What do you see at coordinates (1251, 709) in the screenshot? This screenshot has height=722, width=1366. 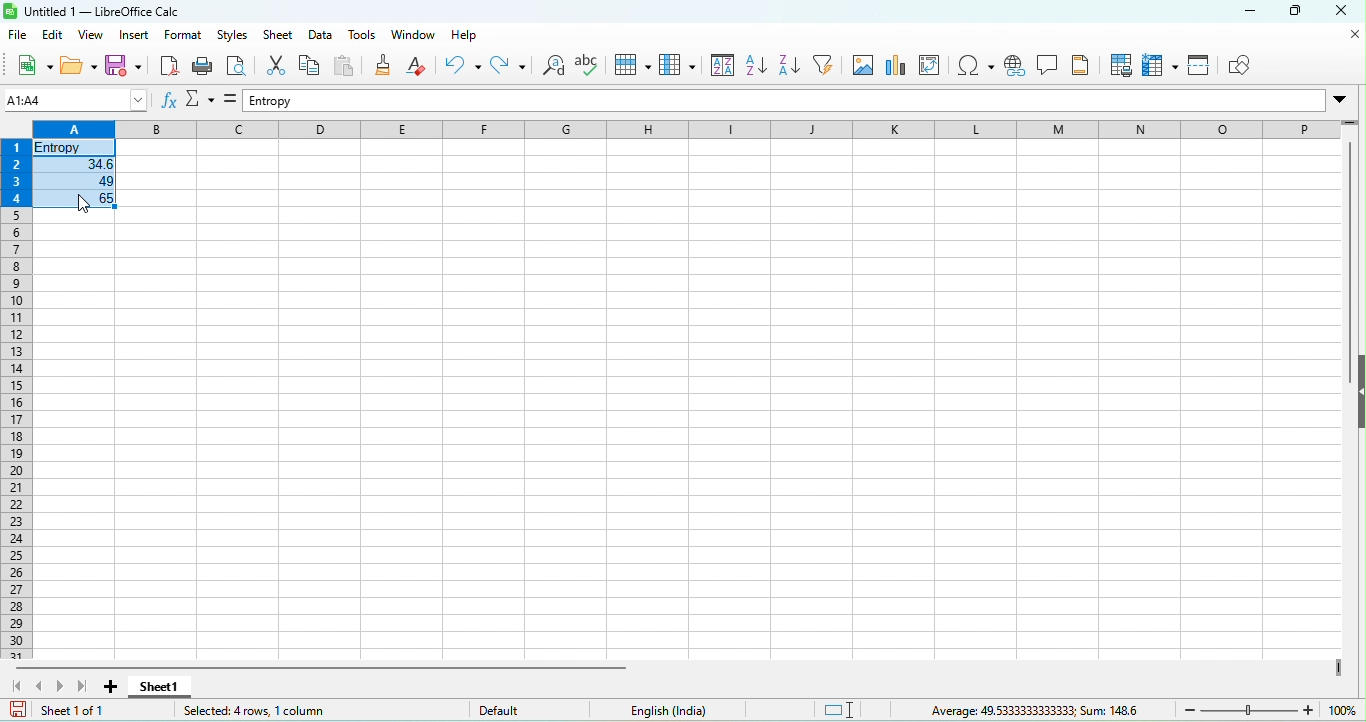 I see `zoom slider` at bounding box center [1251, 709].